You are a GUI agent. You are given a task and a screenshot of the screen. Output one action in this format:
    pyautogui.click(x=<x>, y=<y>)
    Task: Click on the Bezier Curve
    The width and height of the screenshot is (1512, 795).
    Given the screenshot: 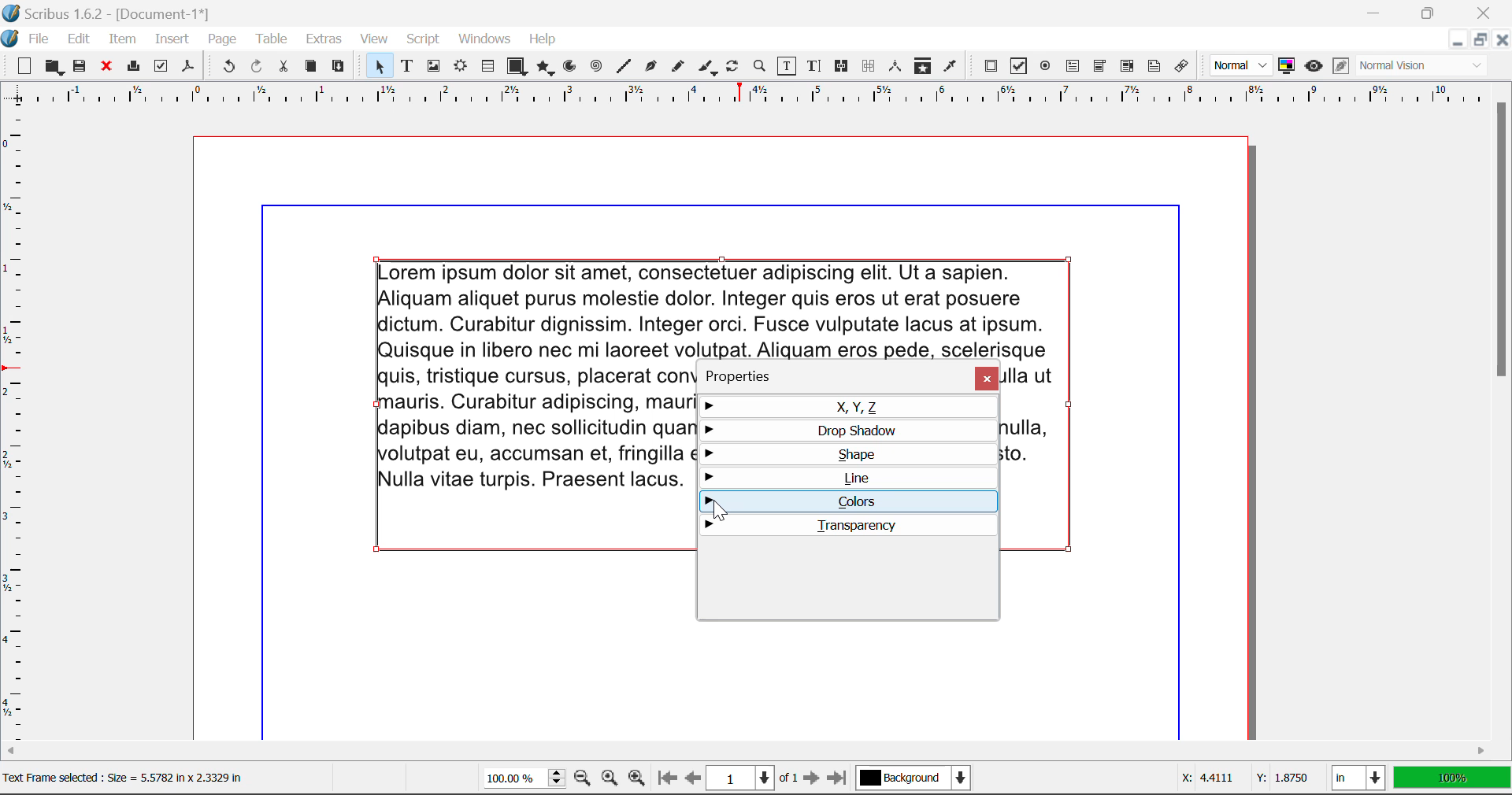 What is the action you would take?
    pyautogui.click(x=651, y=68)
    